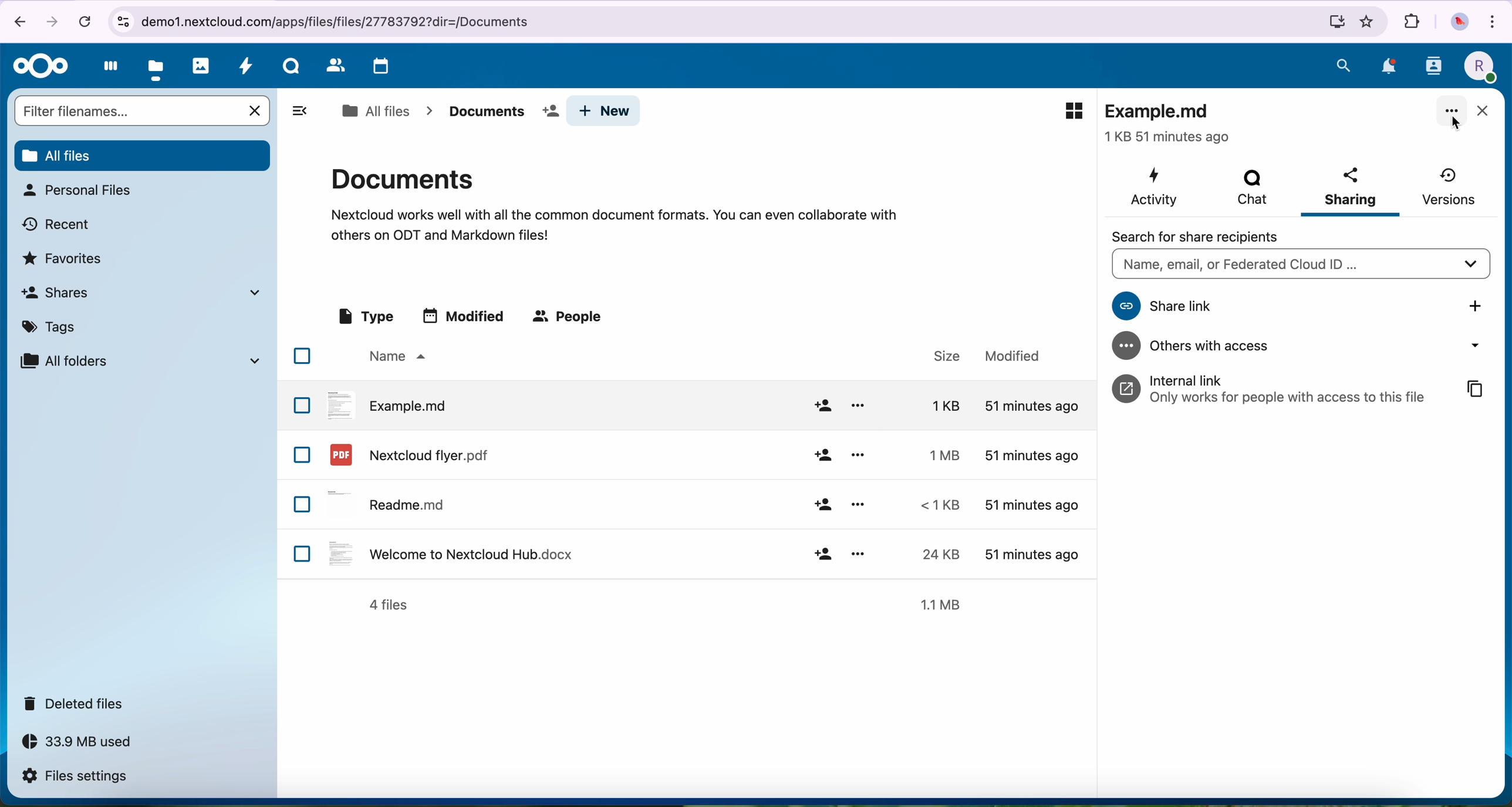 The image size is (1512, 807). Describe the element at coordinates (146, 292) in the screenshot. I see `shares tab` at that location.